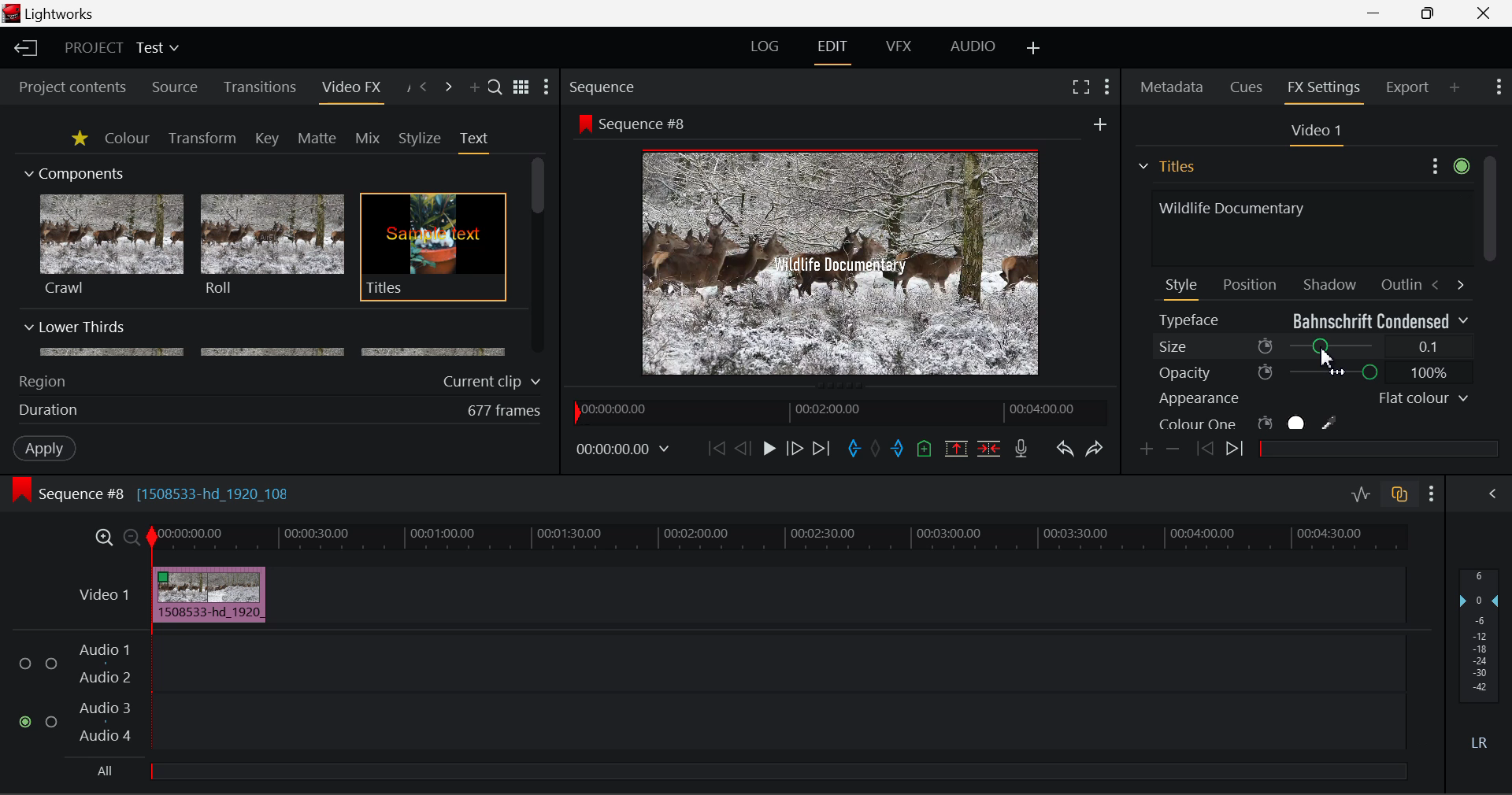  I want to click on Outline, so click(1399, 283).